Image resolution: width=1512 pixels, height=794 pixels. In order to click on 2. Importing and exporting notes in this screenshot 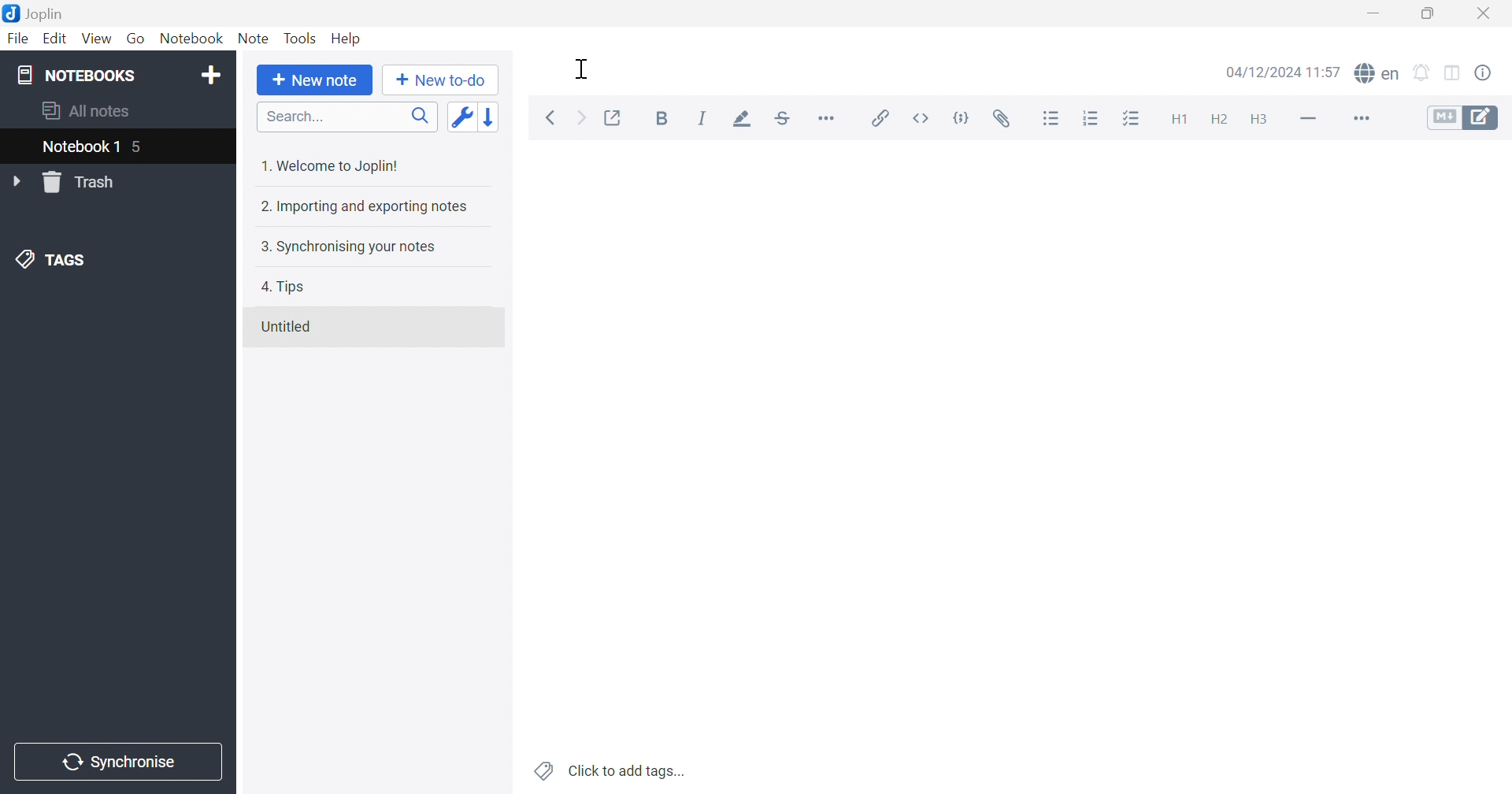, I will do `click(365, 208)`.